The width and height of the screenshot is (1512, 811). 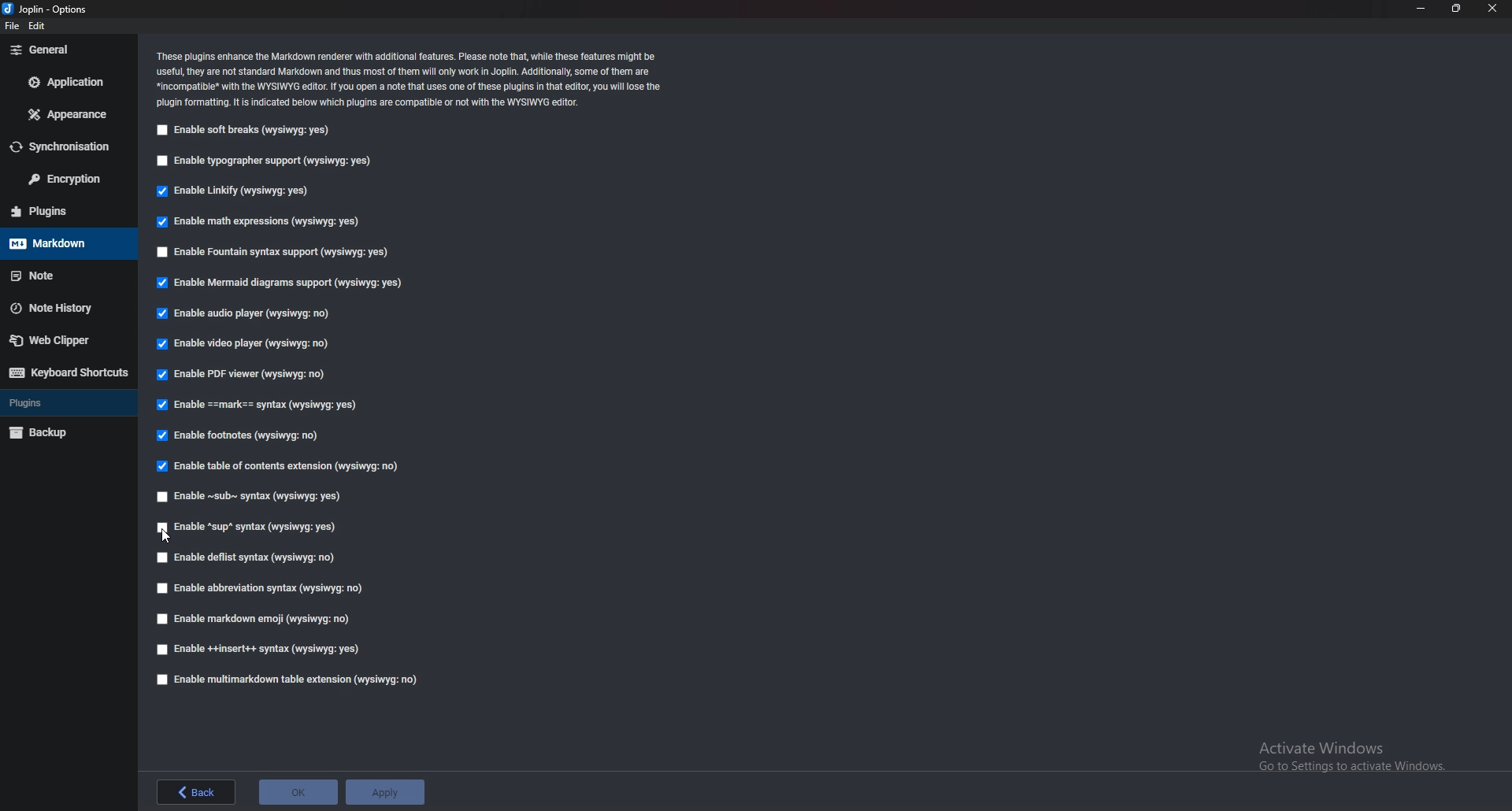 I want to click on backup, so click(x=66, y=432).